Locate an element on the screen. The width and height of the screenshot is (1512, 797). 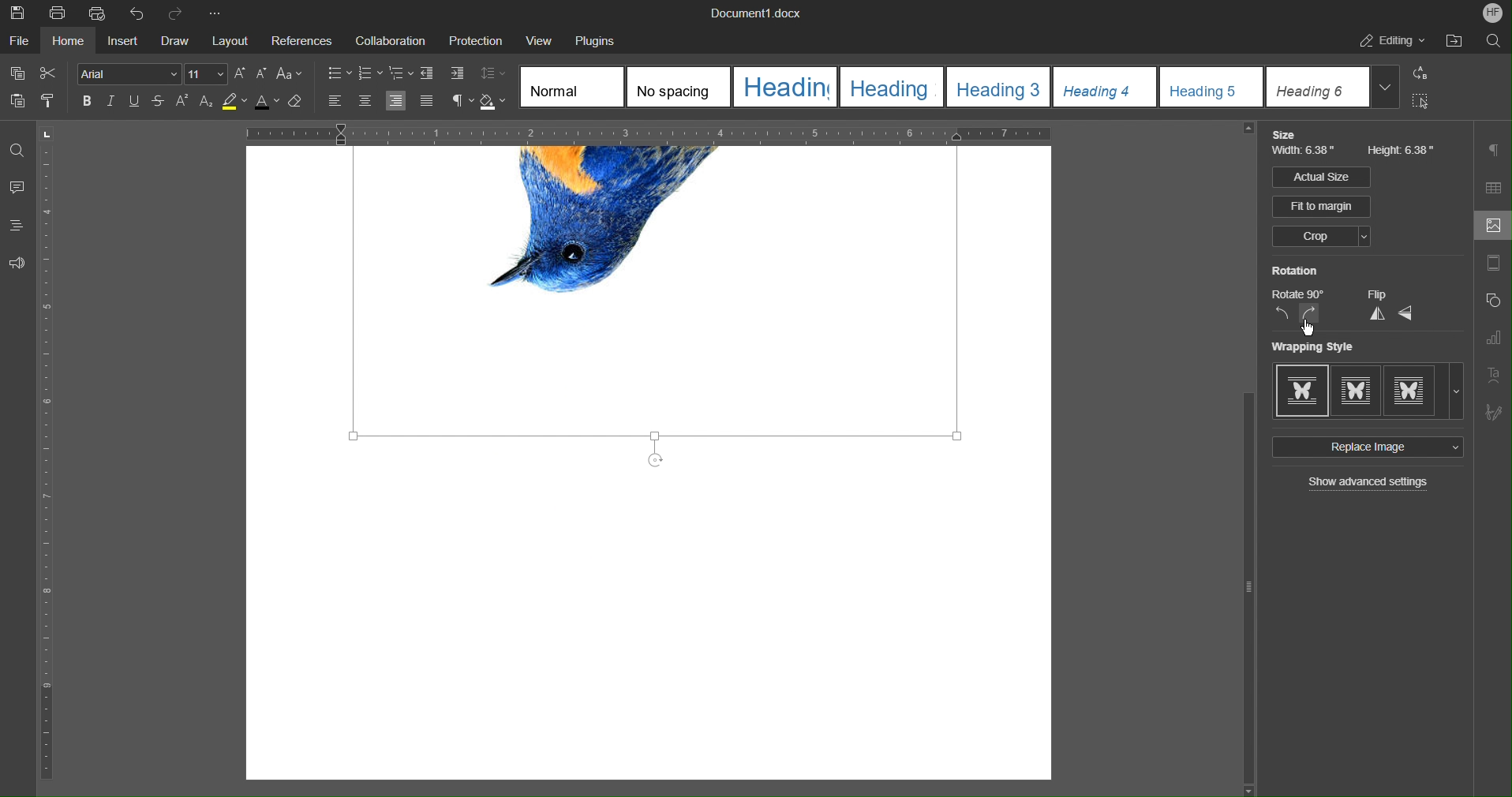
margins settings is located at coordinates (1492, 264).